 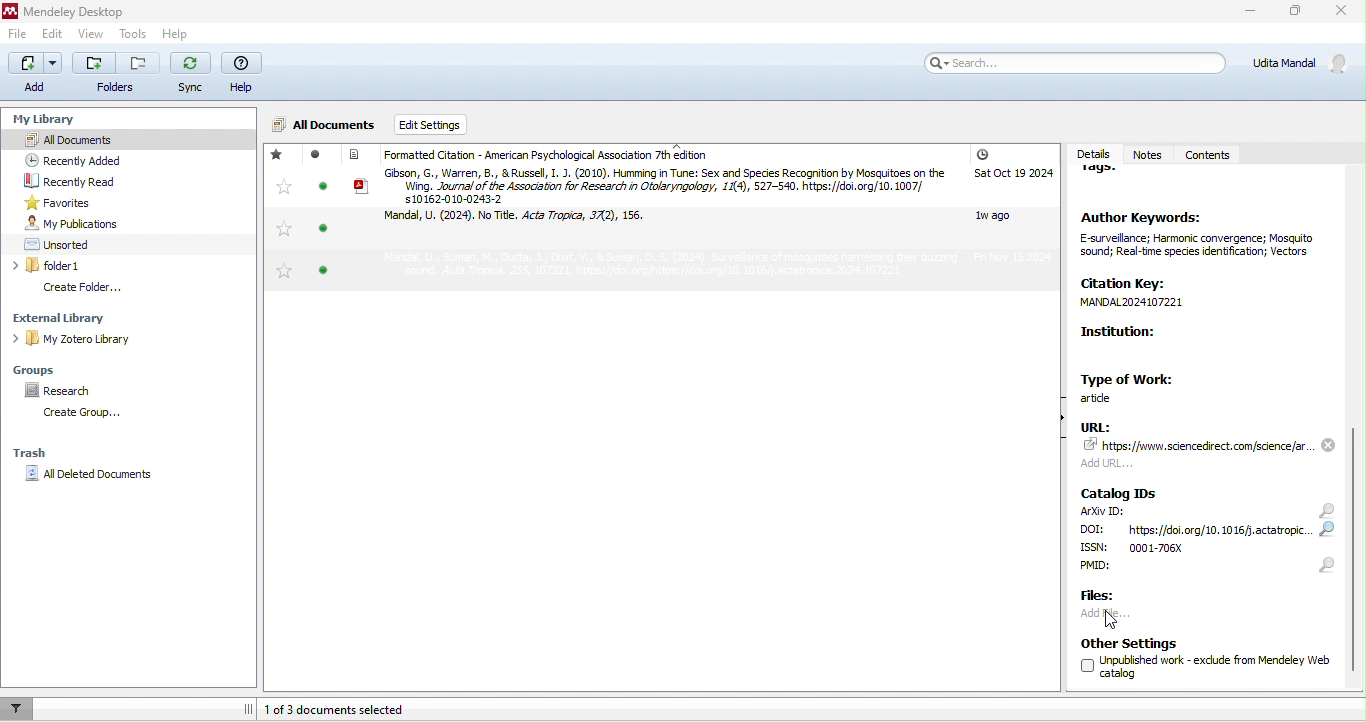 What do you see at coordinates (1012, 207) in the screenshot?
I see `added date` at bounding box center [1012, 207].